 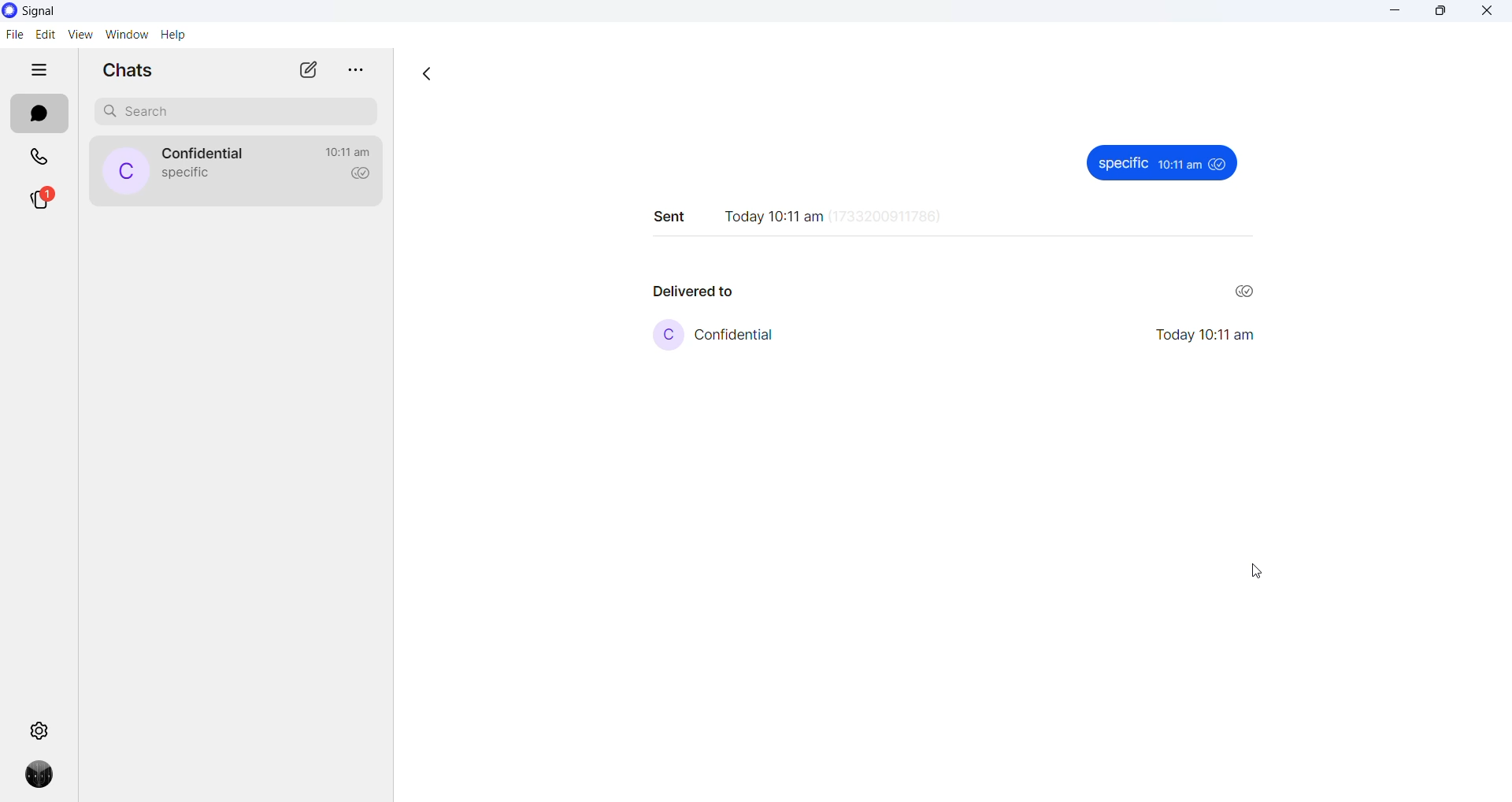 I want to click on minimize, so click(x=1397, y=12).